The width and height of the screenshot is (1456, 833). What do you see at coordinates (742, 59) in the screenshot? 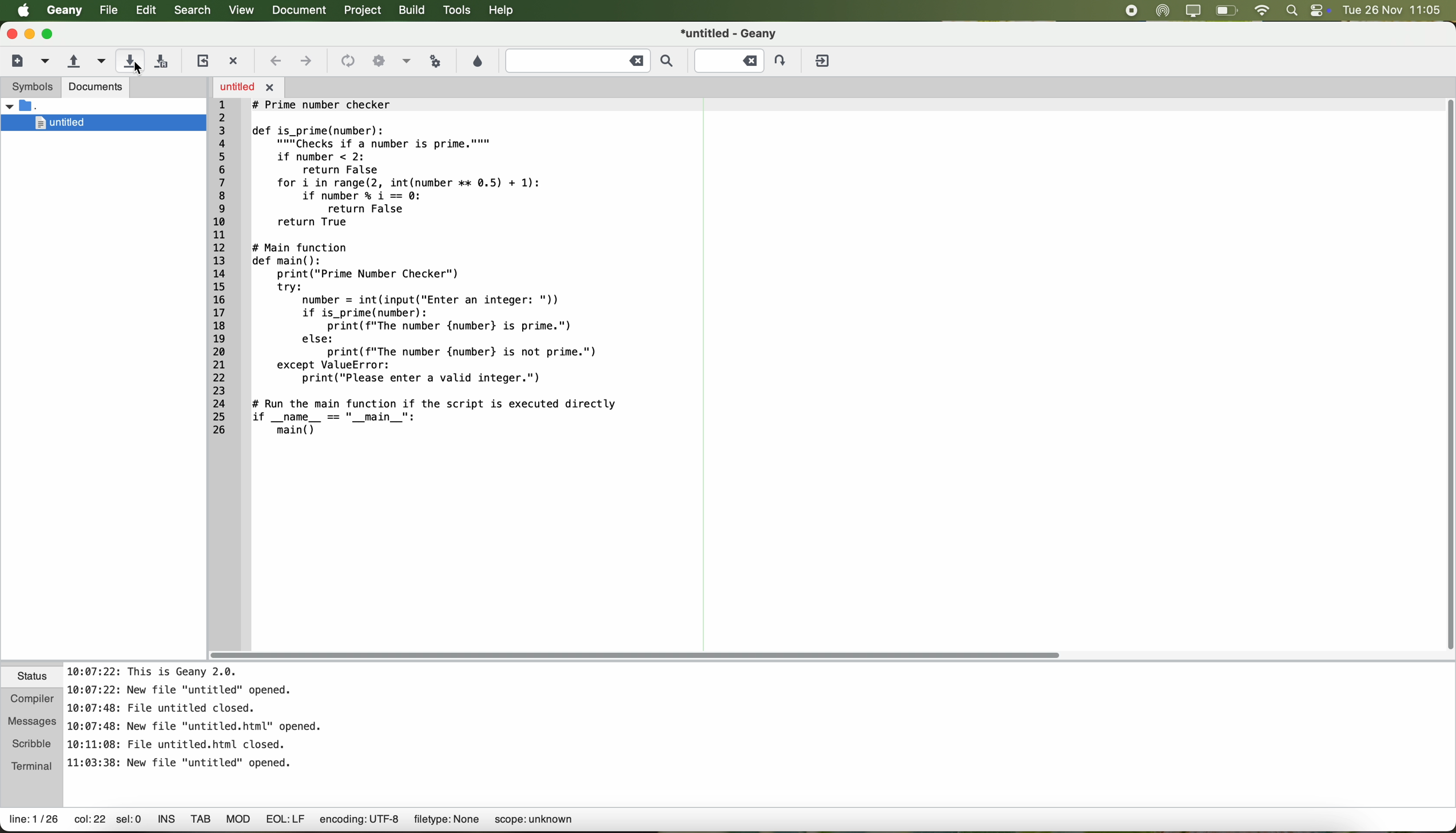
I see `Jump to the entered line number` at bounding box center [742, 59].